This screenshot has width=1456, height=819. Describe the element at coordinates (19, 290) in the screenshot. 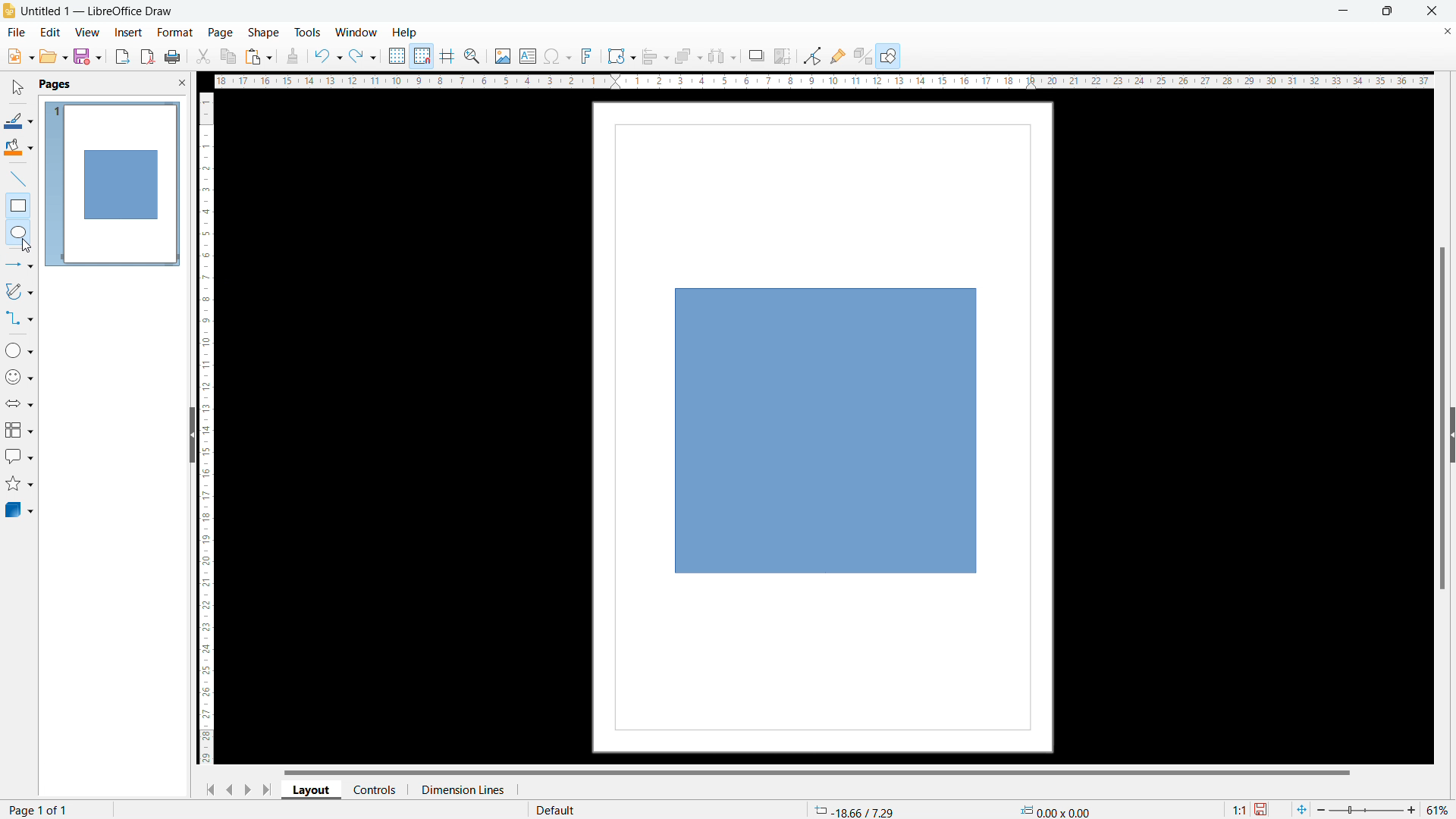

I see `curves and polygonas` at that location.